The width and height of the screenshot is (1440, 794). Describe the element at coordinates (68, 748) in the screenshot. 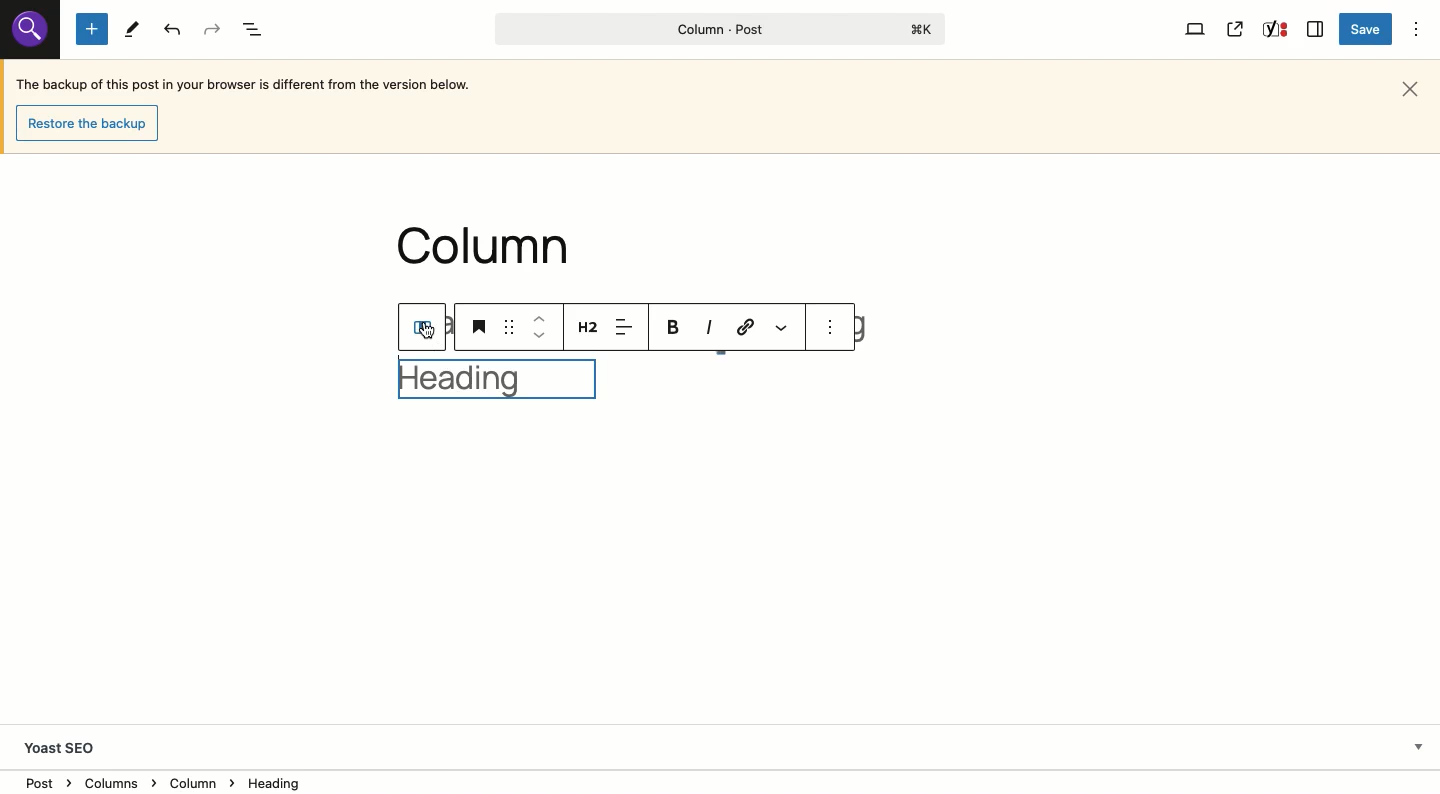

I see `Yoast SEO` at that location.